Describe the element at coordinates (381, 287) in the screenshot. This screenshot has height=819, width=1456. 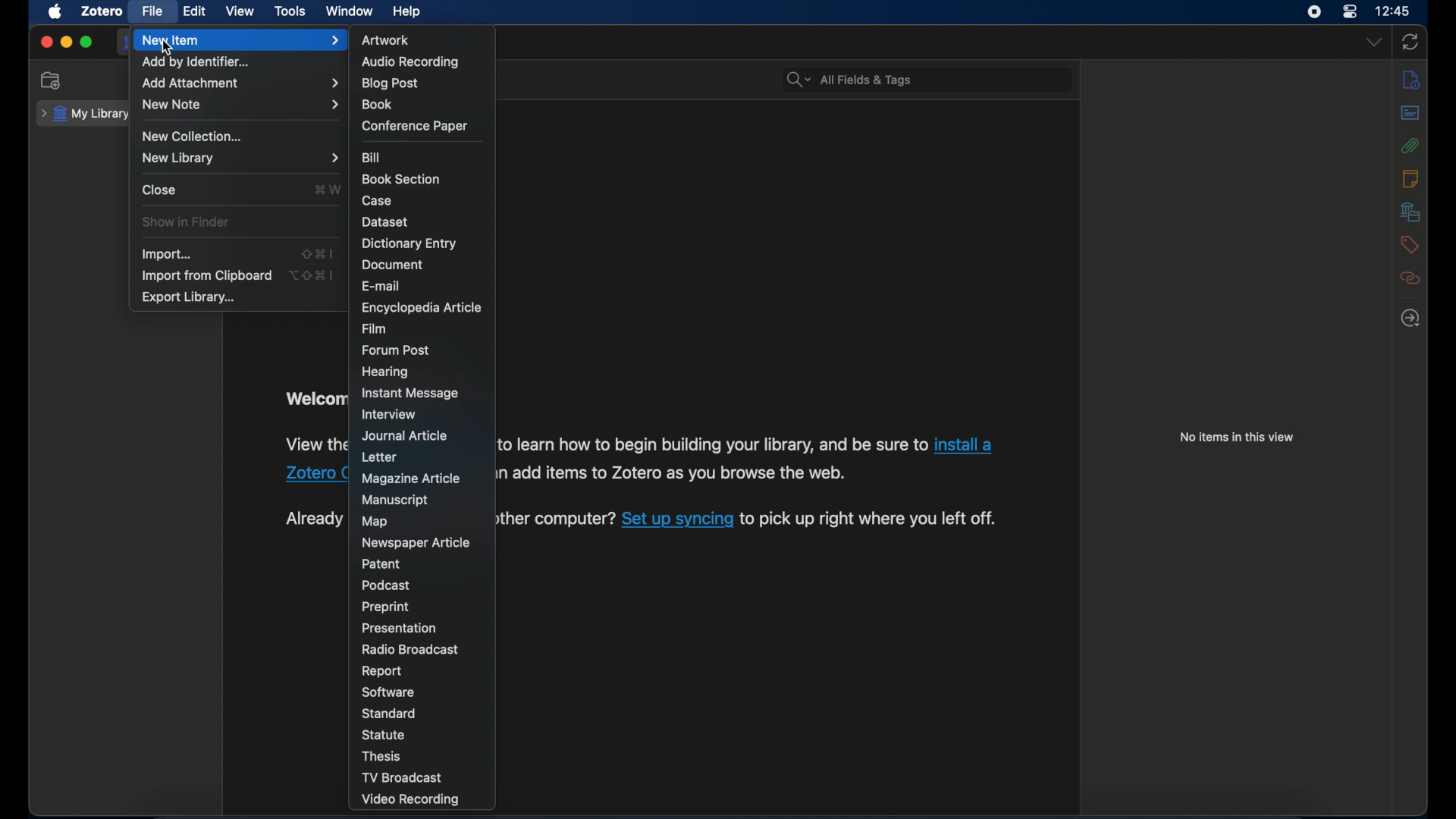
I see `e-mail` at that location.